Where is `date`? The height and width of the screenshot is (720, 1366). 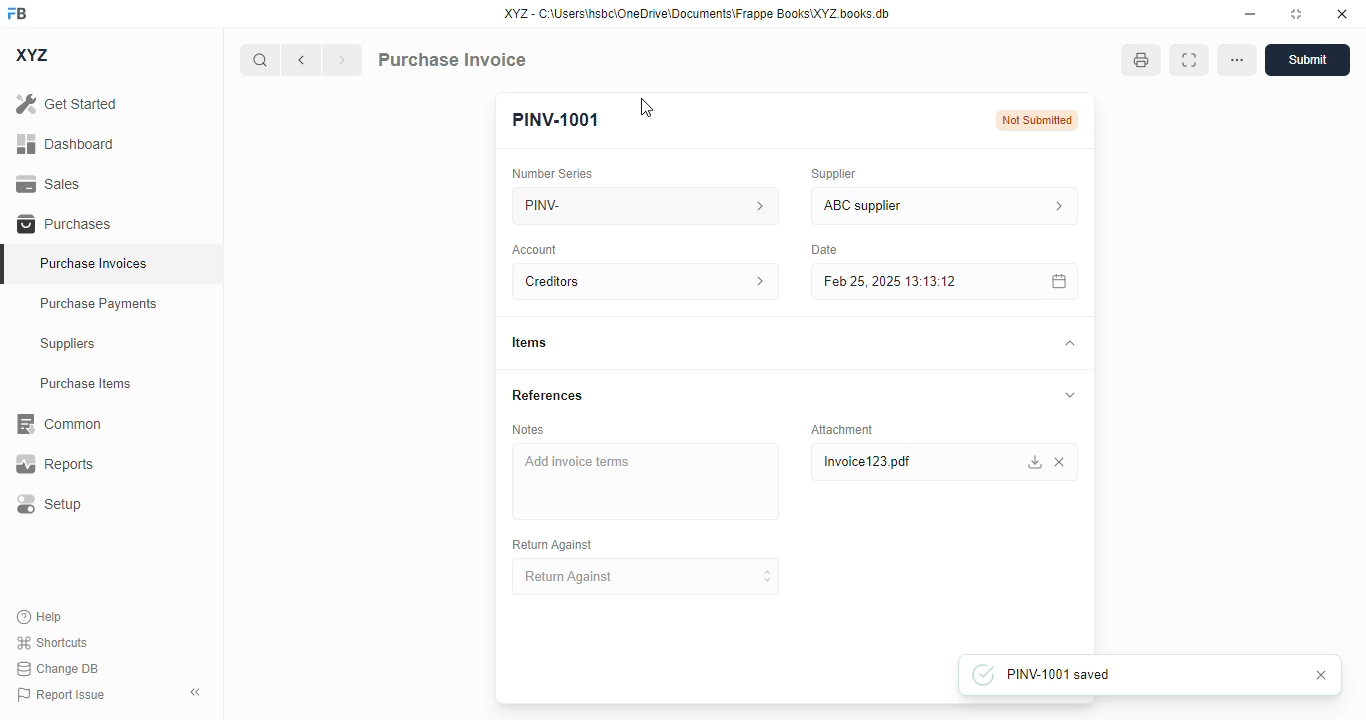
date is located at coordinates (820, 249).